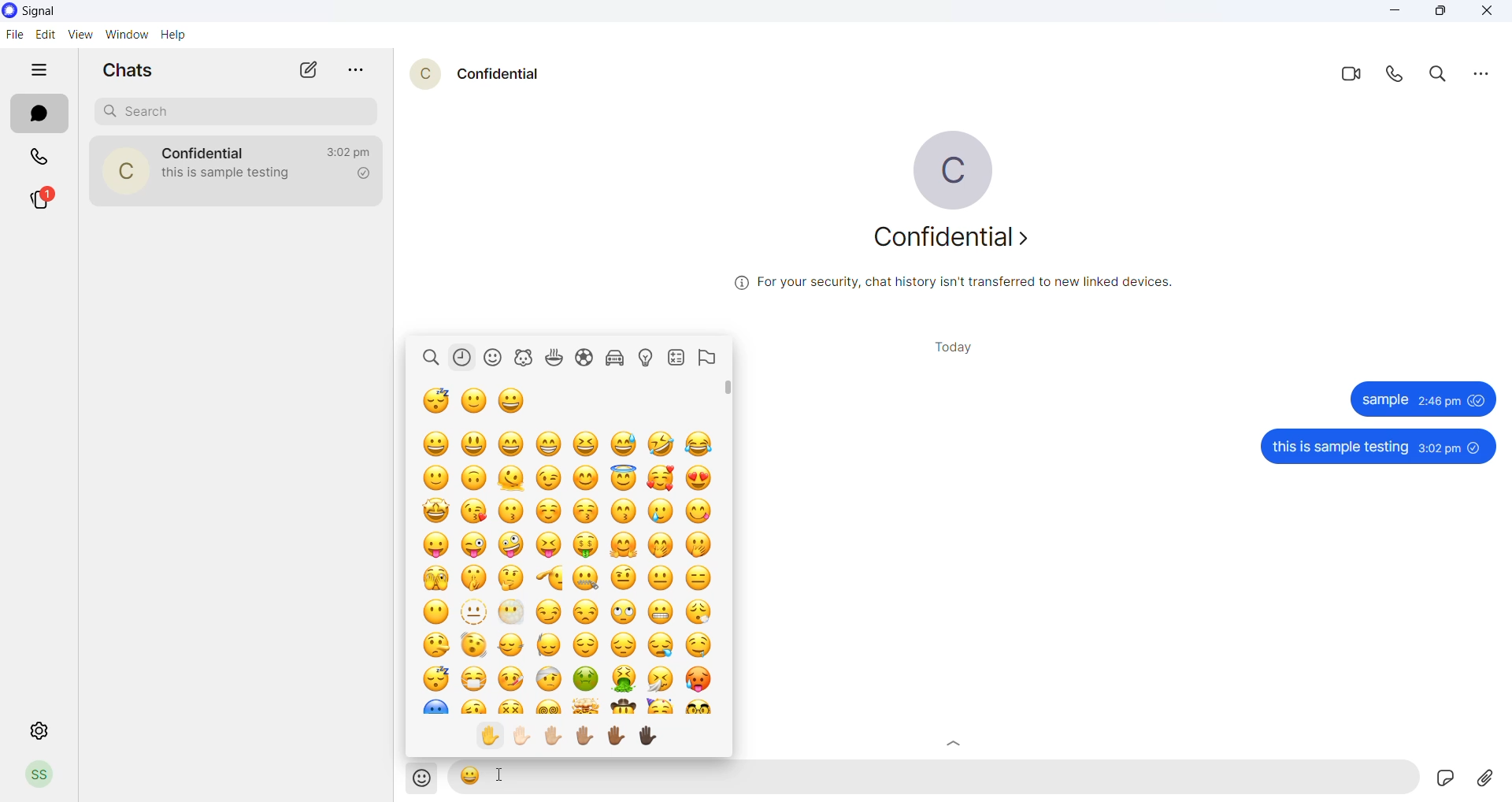  What do you see at coordinates (124, 171) in the screenshot?
I see `contact photo` at bounding box center [124, 171].